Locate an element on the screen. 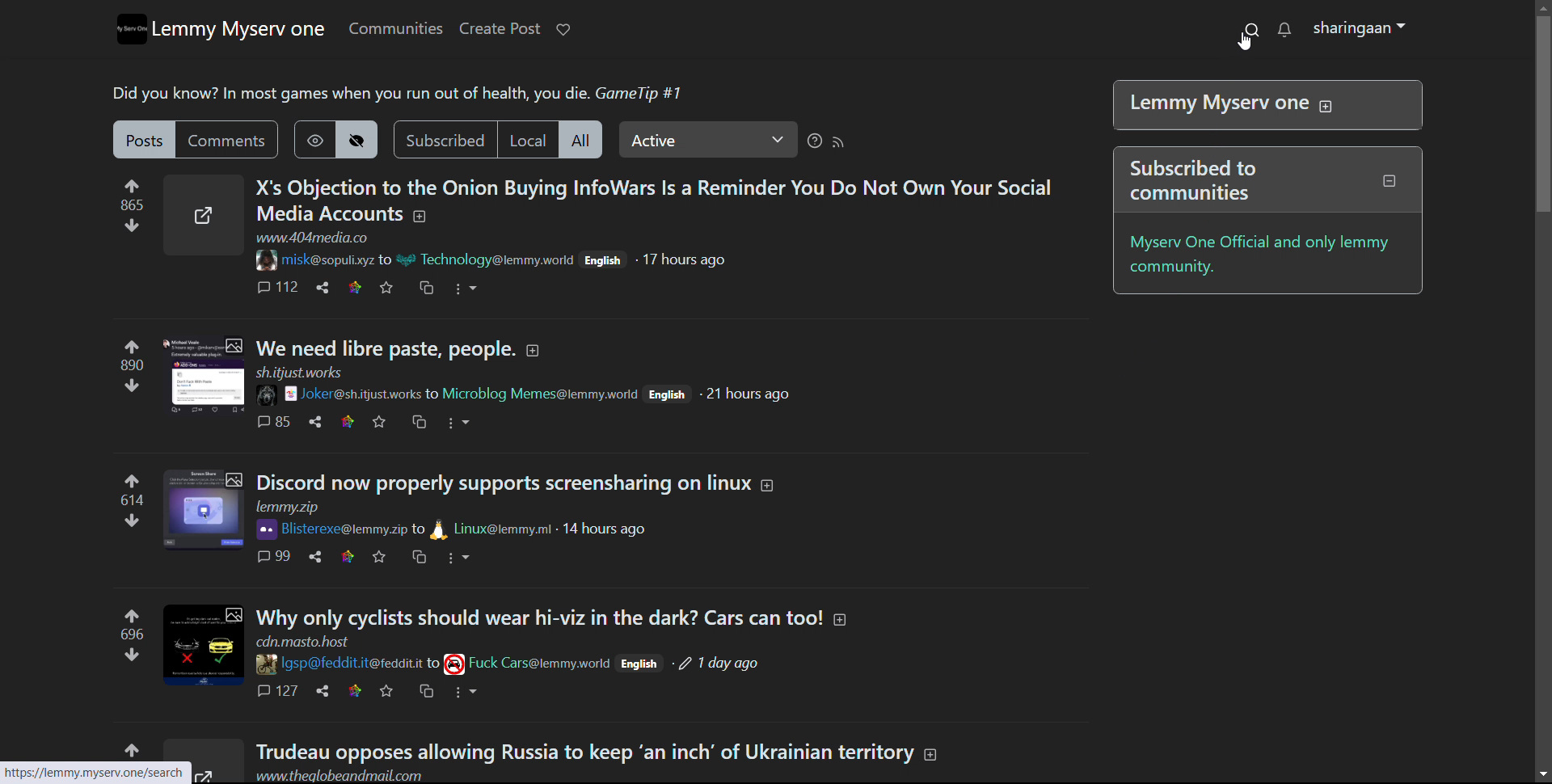 The height and width of the screenshot is (784, 1552). Post on "Trudeau opposes allowing Russia to keep “an inch’ of Ukrainian territory" is located at coordinates (597, 752).